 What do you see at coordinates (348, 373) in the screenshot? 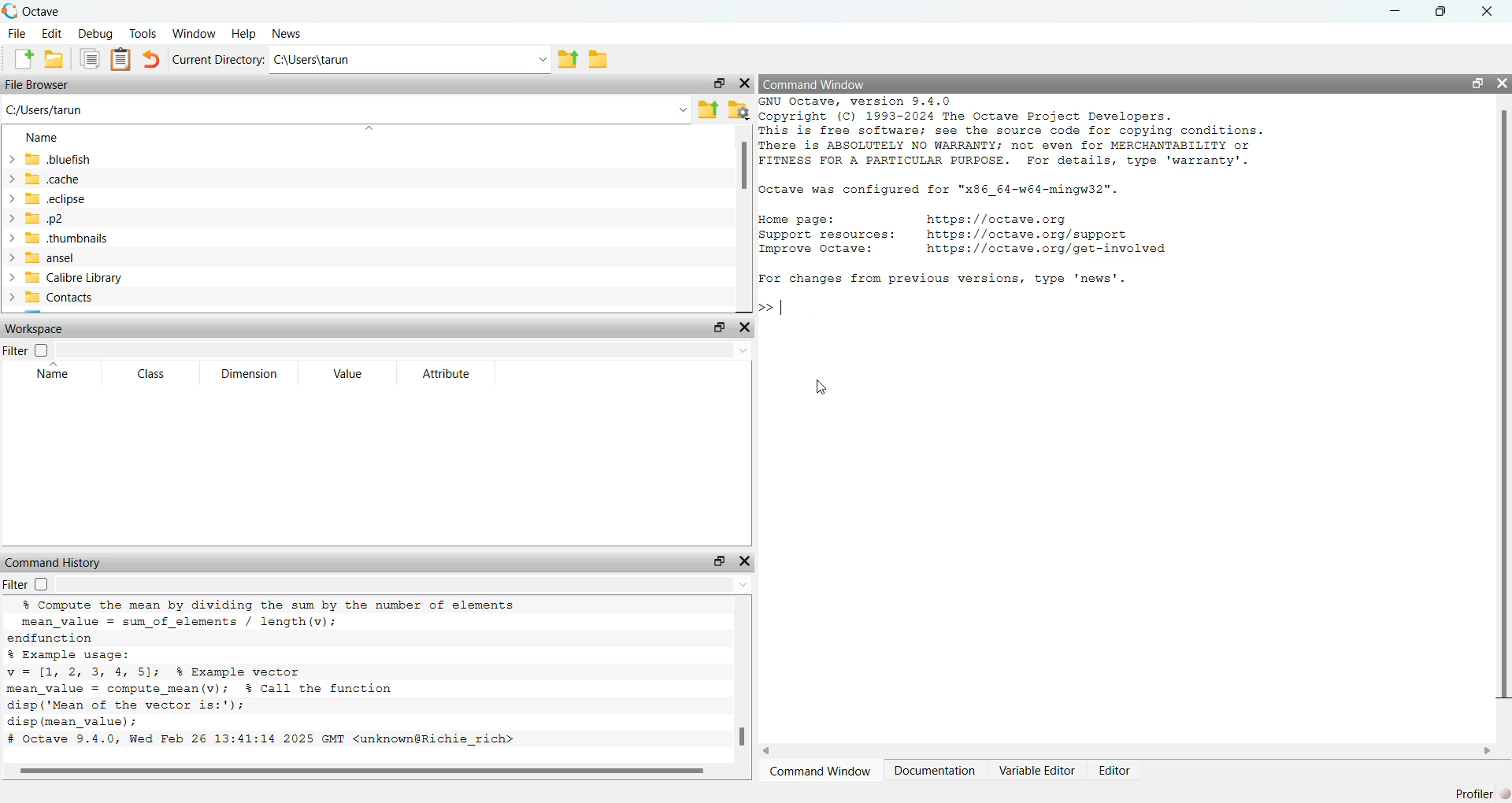
I see `Value` at bounding box center [348, 373].